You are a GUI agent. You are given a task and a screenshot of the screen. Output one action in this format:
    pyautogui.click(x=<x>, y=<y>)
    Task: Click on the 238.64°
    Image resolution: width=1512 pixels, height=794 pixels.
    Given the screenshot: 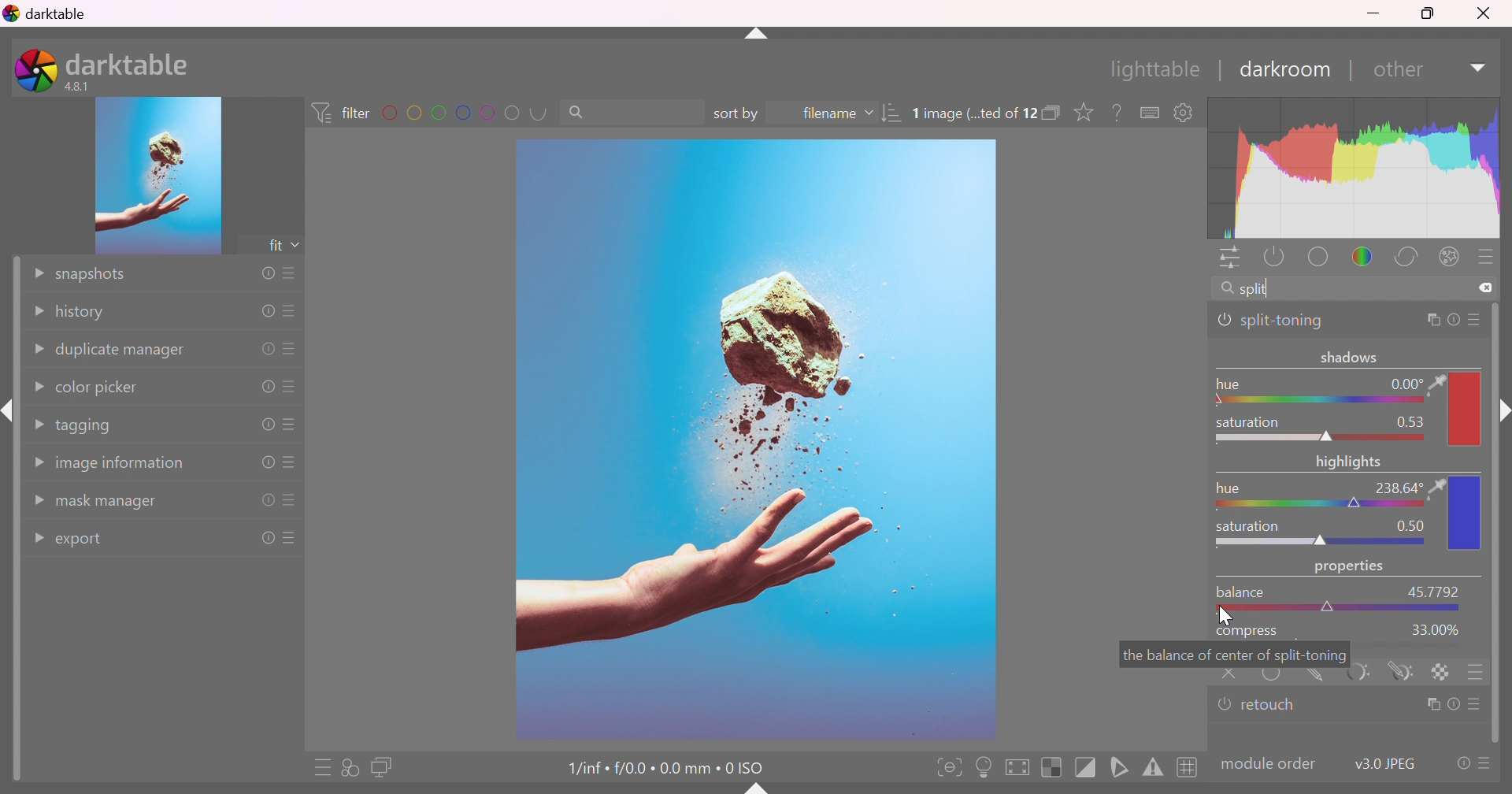 What is the action you would take?
    pyautogui.click(x=1398, y=487)
    